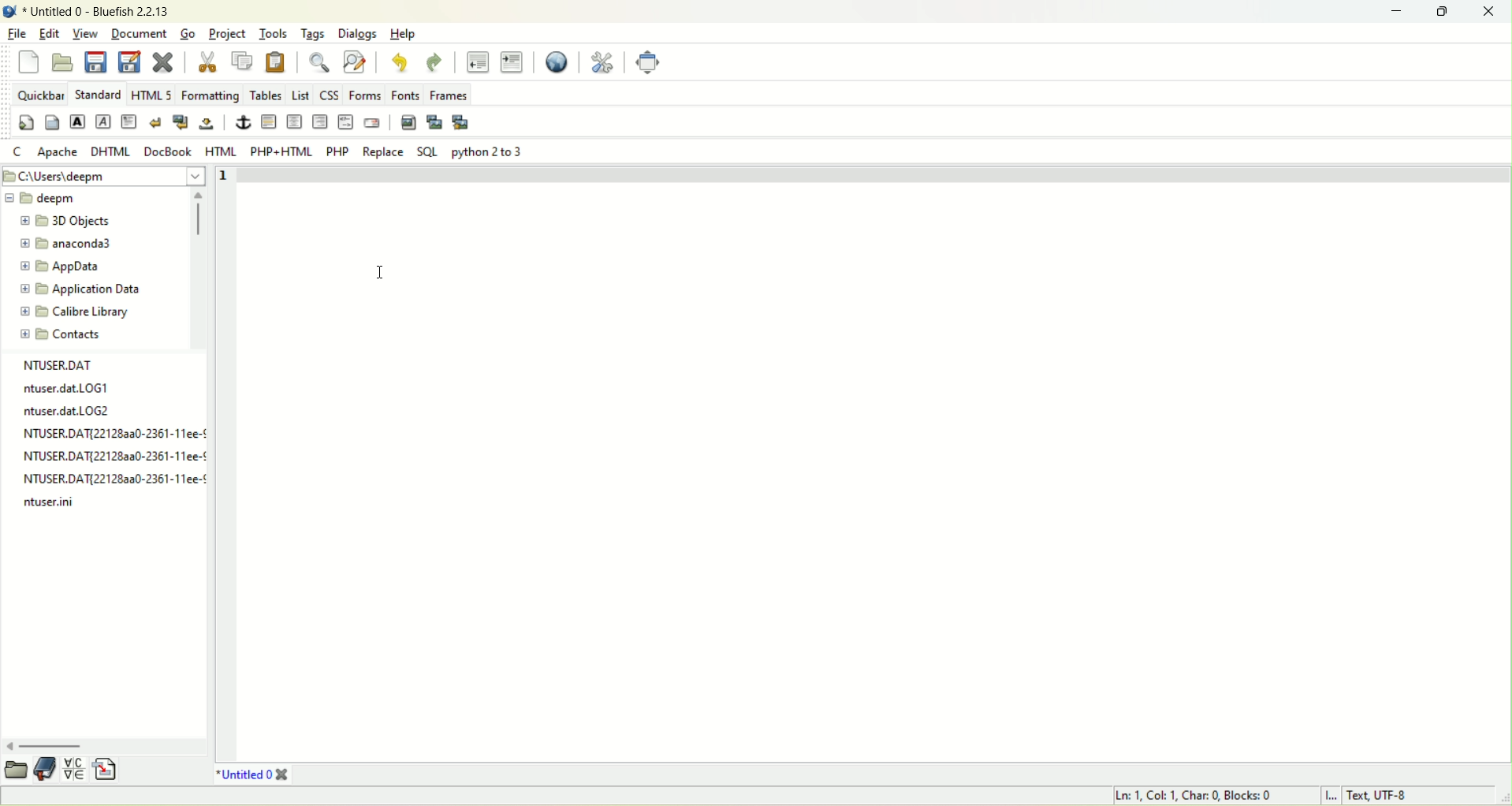 The image size is (1512, 806). Describe the element at coordinates (110, 431) in the screenshot. I see `NTUSER.DAT{22128a3a0-2361-11ee-!` at that location.